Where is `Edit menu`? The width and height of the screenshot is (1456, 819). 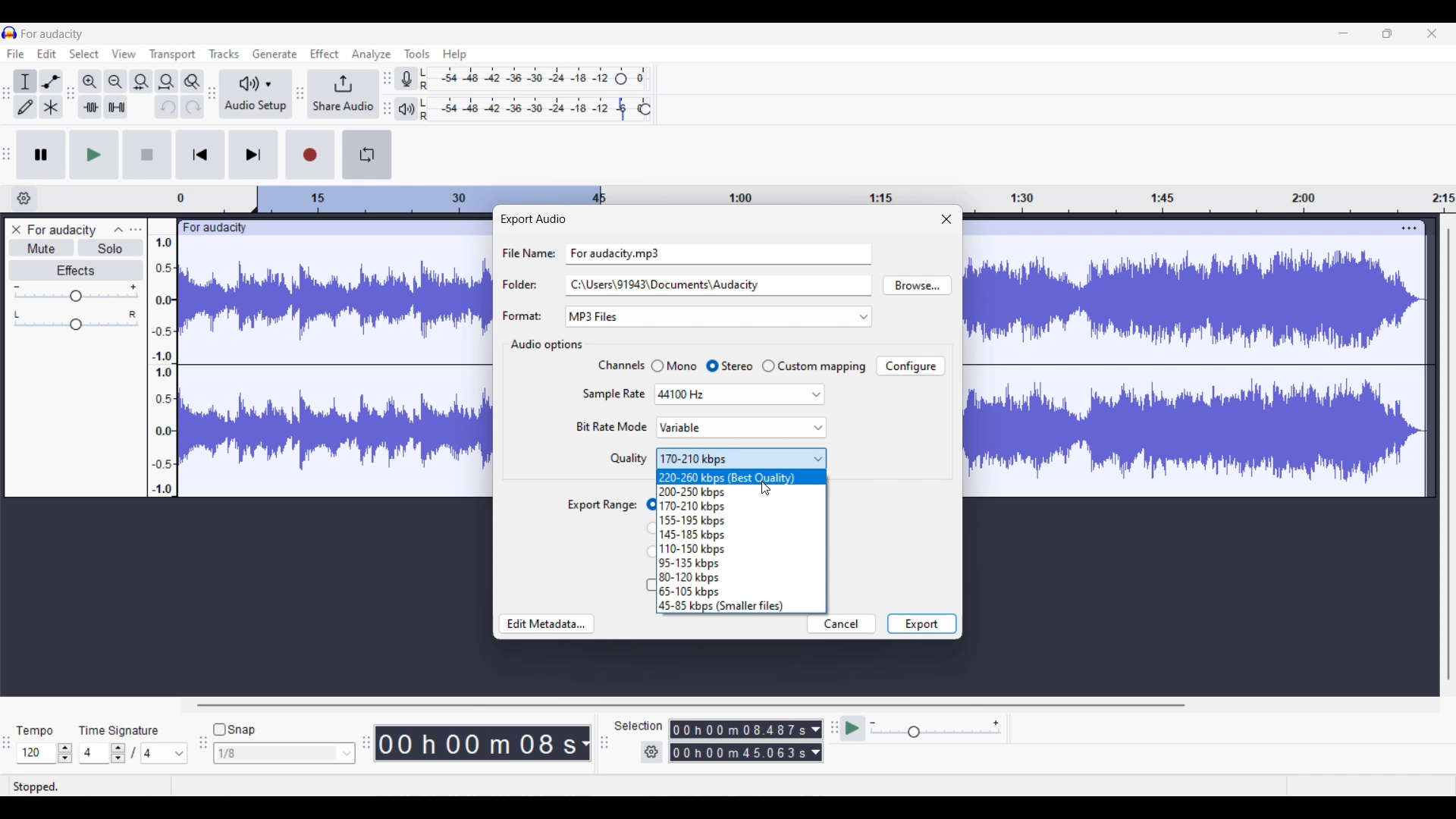
Edit menu is located at coordinates (46, 54).